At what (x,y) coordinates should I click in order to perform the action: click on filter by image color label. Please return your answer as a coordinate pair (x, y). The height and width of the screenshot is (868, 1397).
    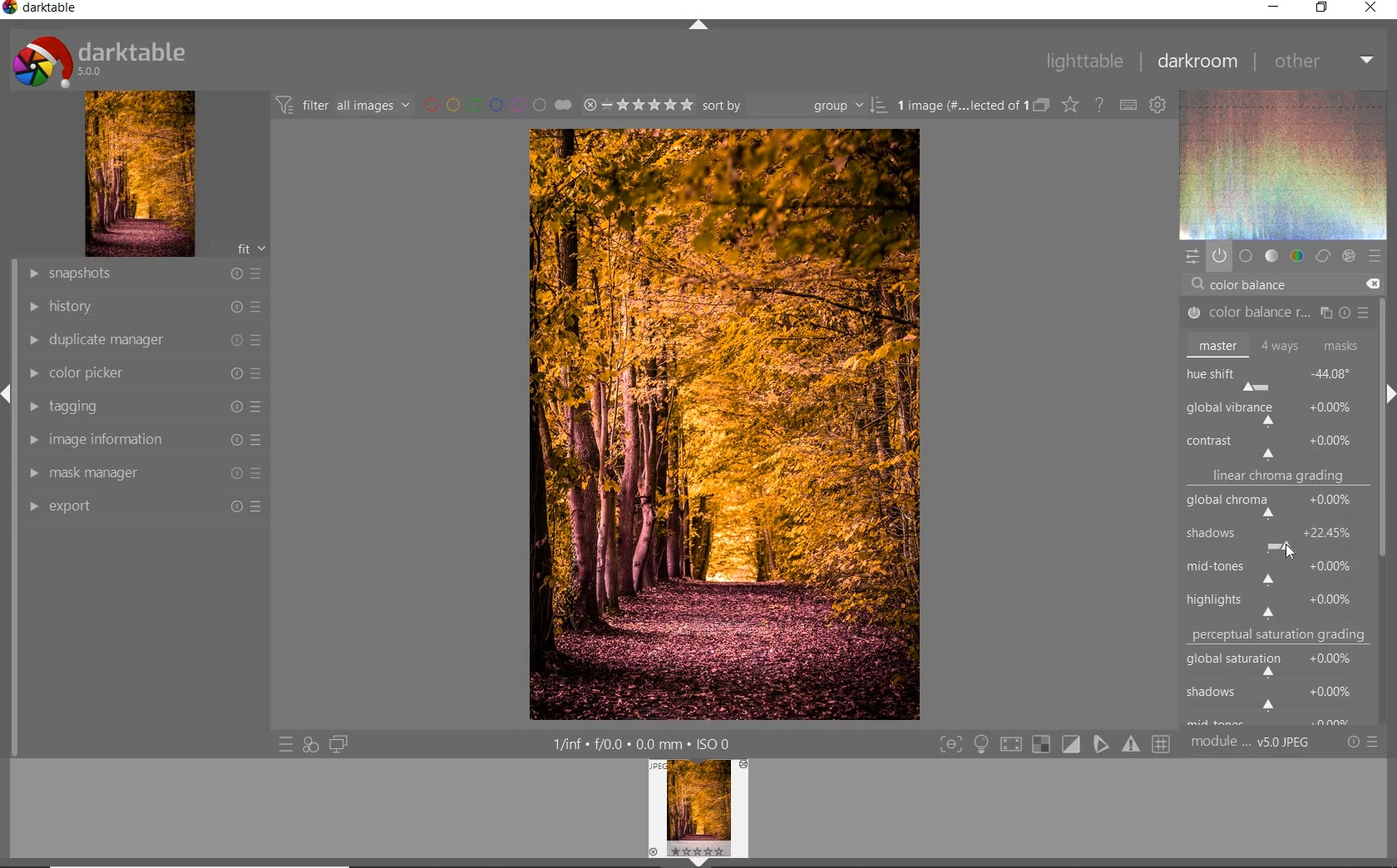
    Looking at the image, I should click on (496, 105).